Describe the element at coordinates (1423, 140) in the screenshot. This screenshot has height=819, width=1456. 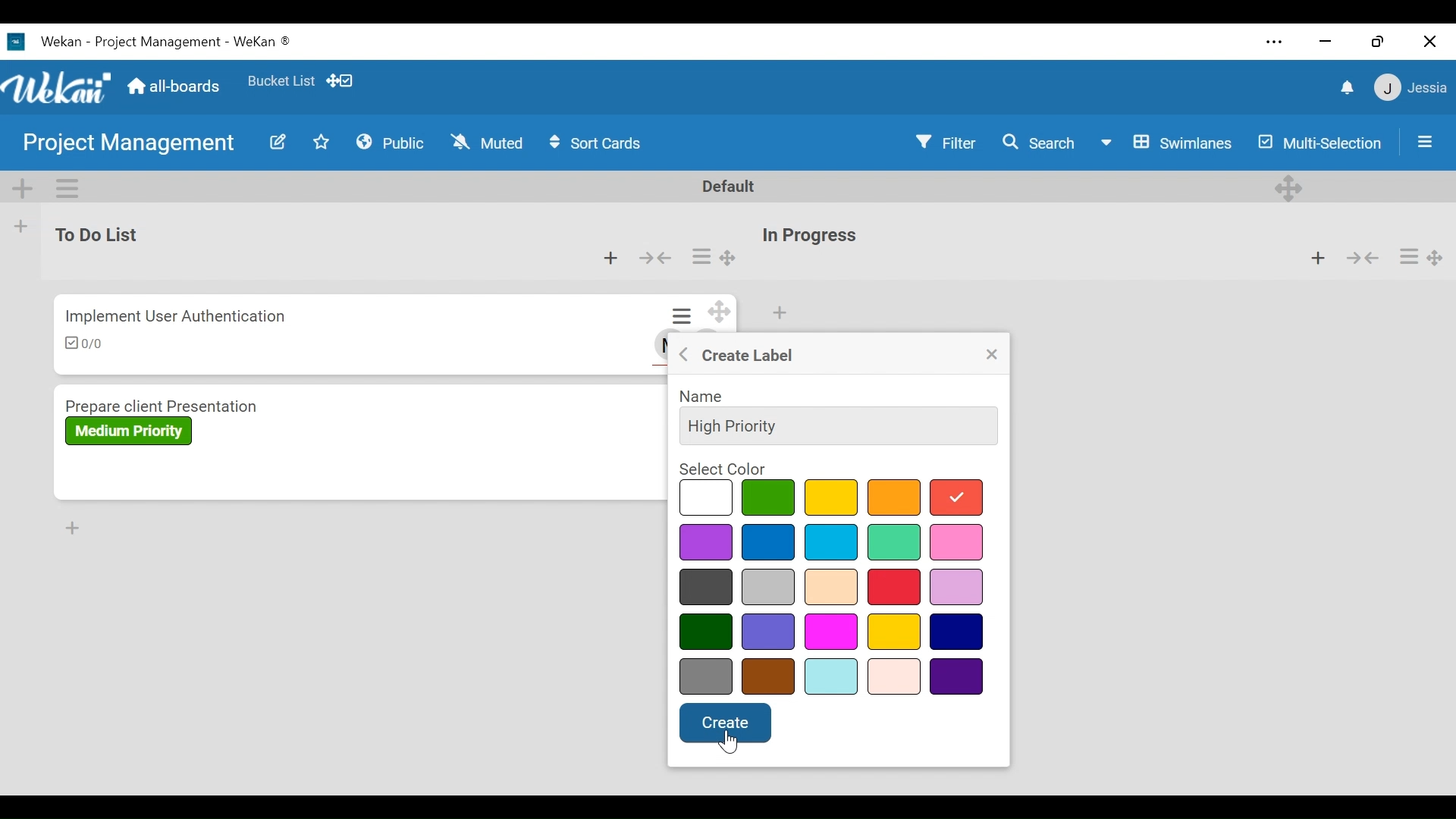
I see `Open/Close Sidebar` at that location.